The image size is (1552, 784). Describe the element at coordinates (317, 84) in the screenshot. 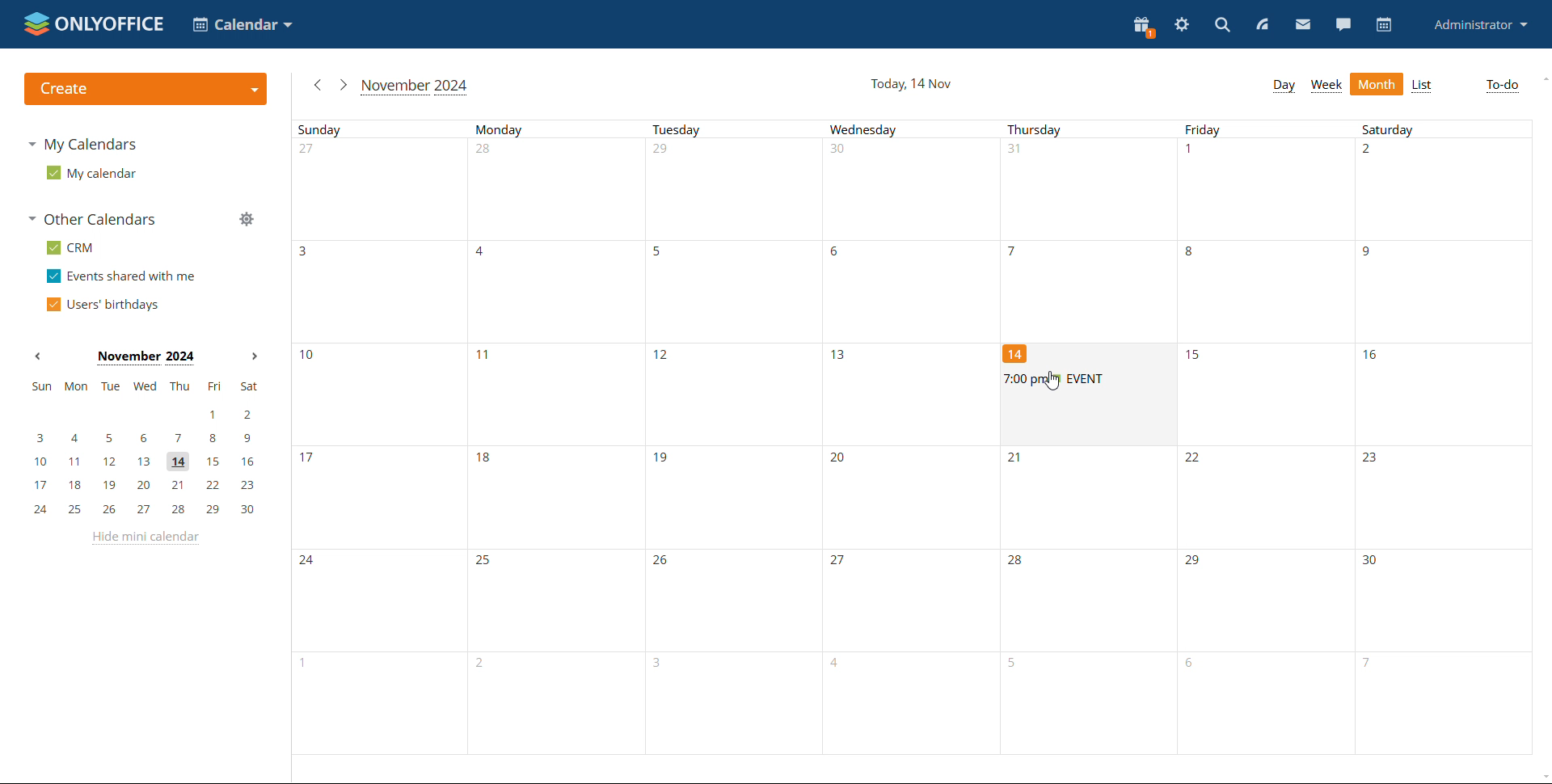

I see `previous month` at that location.